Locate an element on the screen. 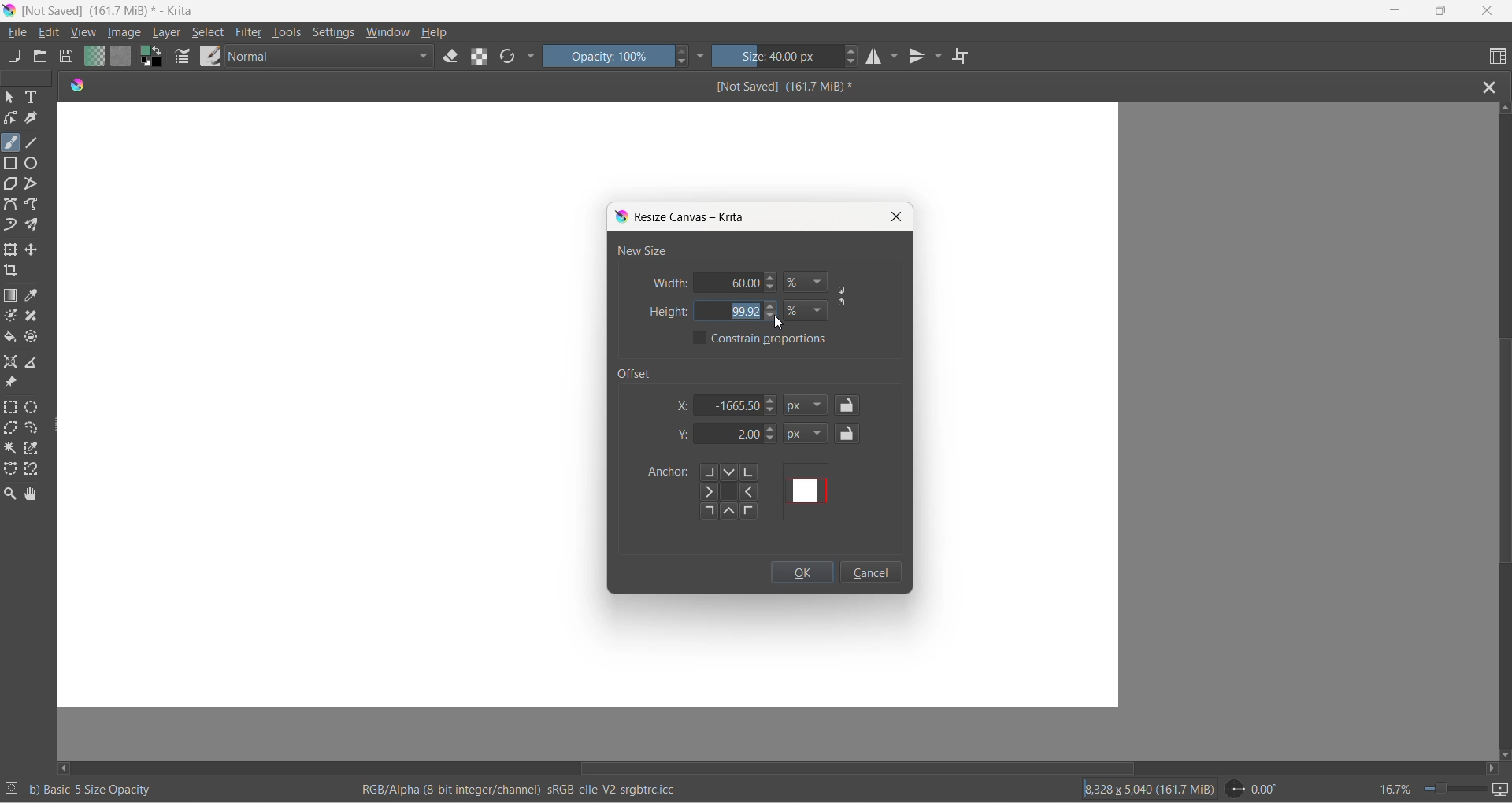 This screenshot has height=803, width=1512. constant proportion button is located at coordinates (843, 298).